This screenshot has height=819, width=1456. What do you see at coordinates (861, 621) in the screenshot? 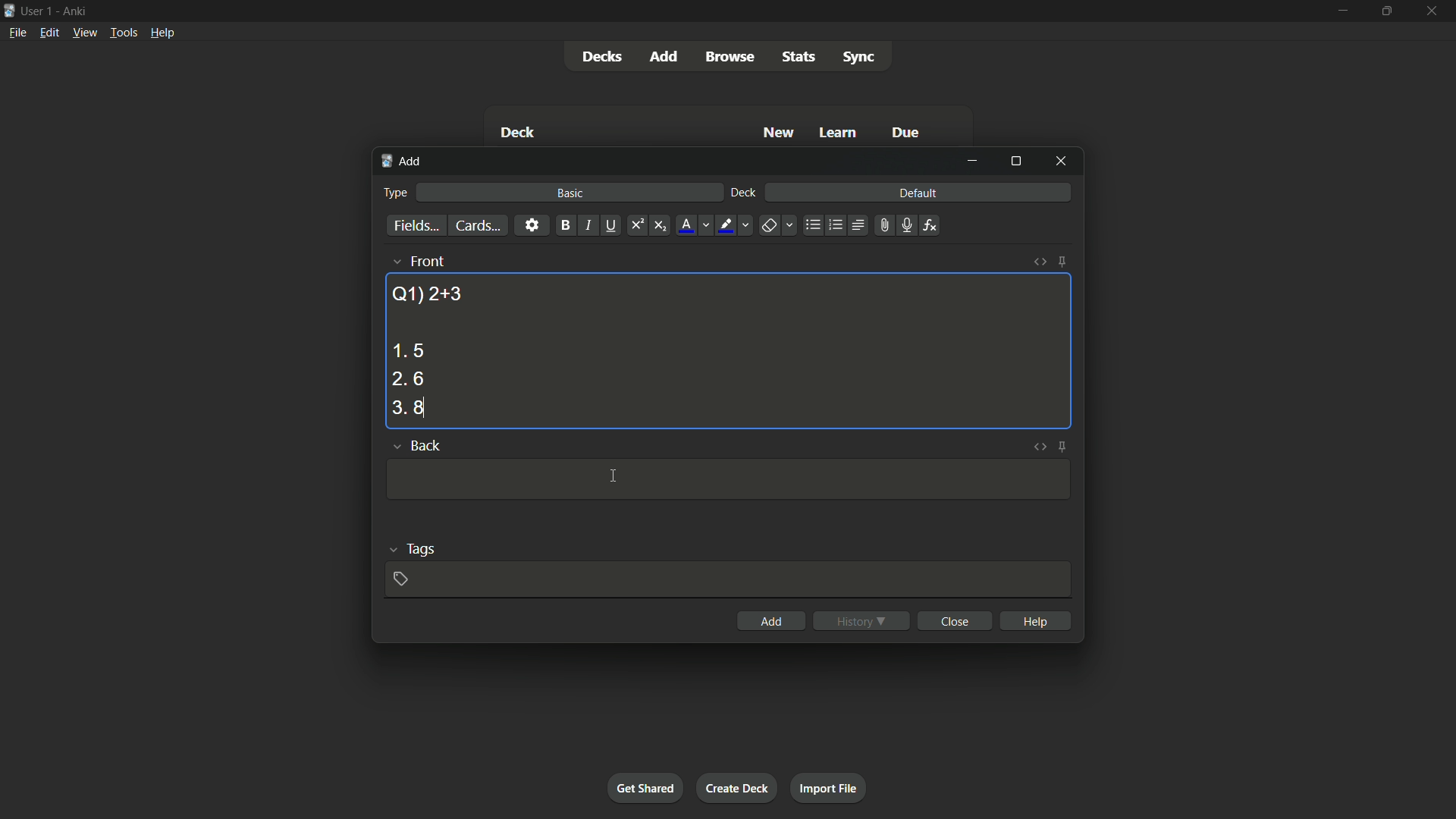
I see `history` at bounding box center [861, 621].